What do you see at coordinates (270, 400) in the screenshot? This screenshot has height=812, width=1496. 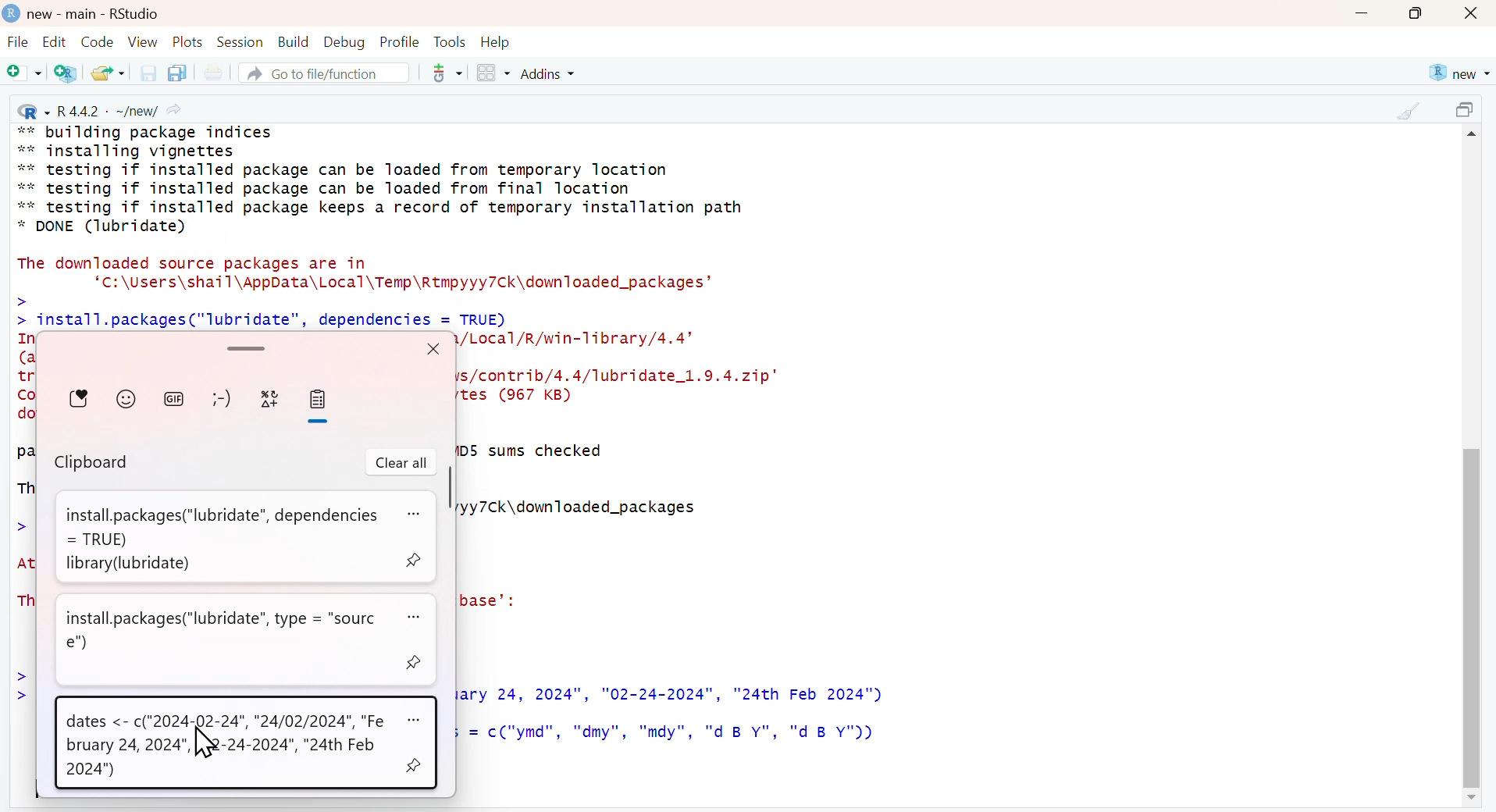 I see `special characters` at bounding box center [270, 400].